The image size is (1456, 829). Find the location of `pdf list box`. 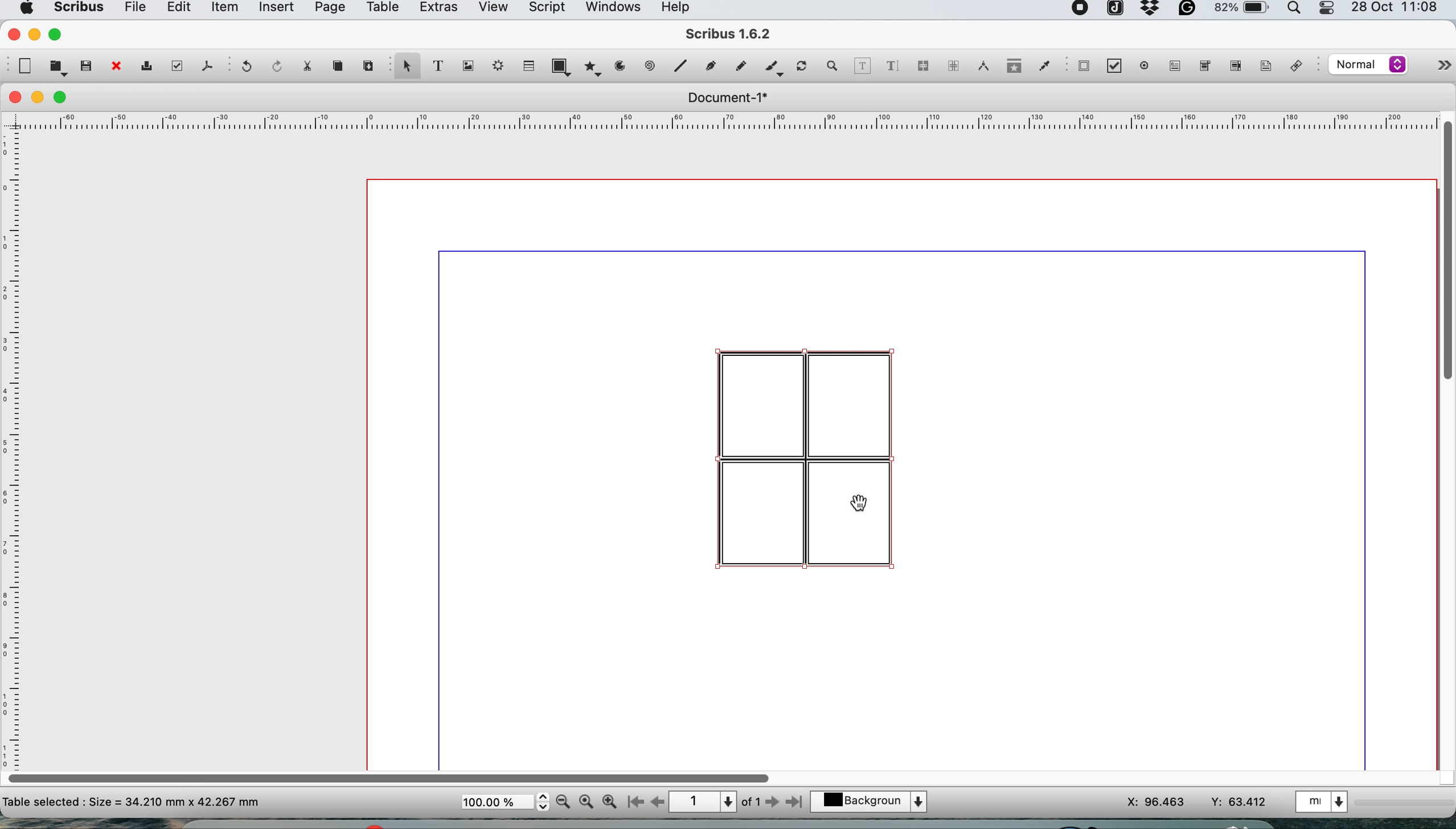

pdf list box is located at coordinates (1234, 68).